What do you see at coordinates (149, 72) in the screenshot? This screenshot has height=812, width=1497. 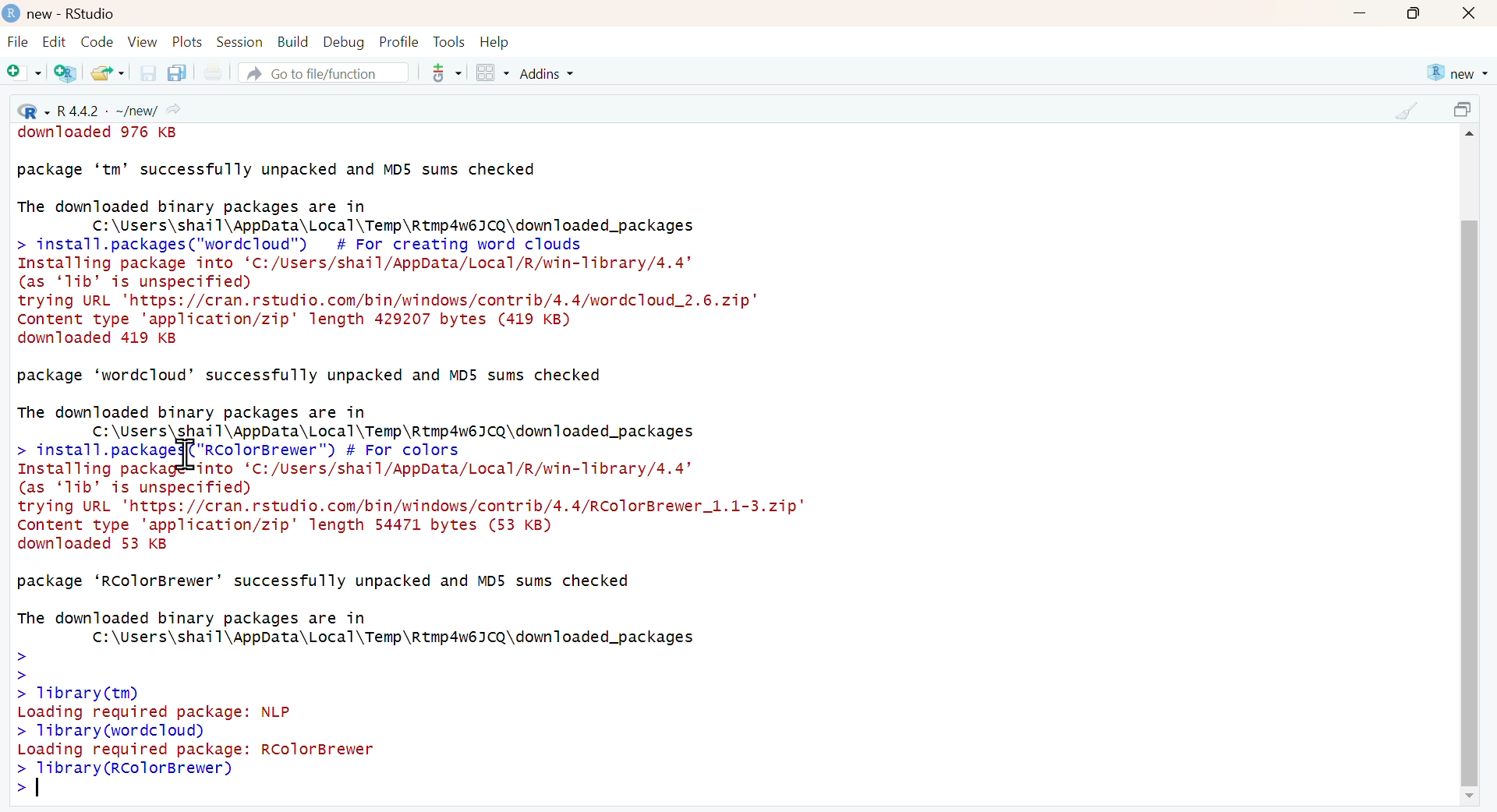 I see `Save the current document` at bounding box center [149, 72].